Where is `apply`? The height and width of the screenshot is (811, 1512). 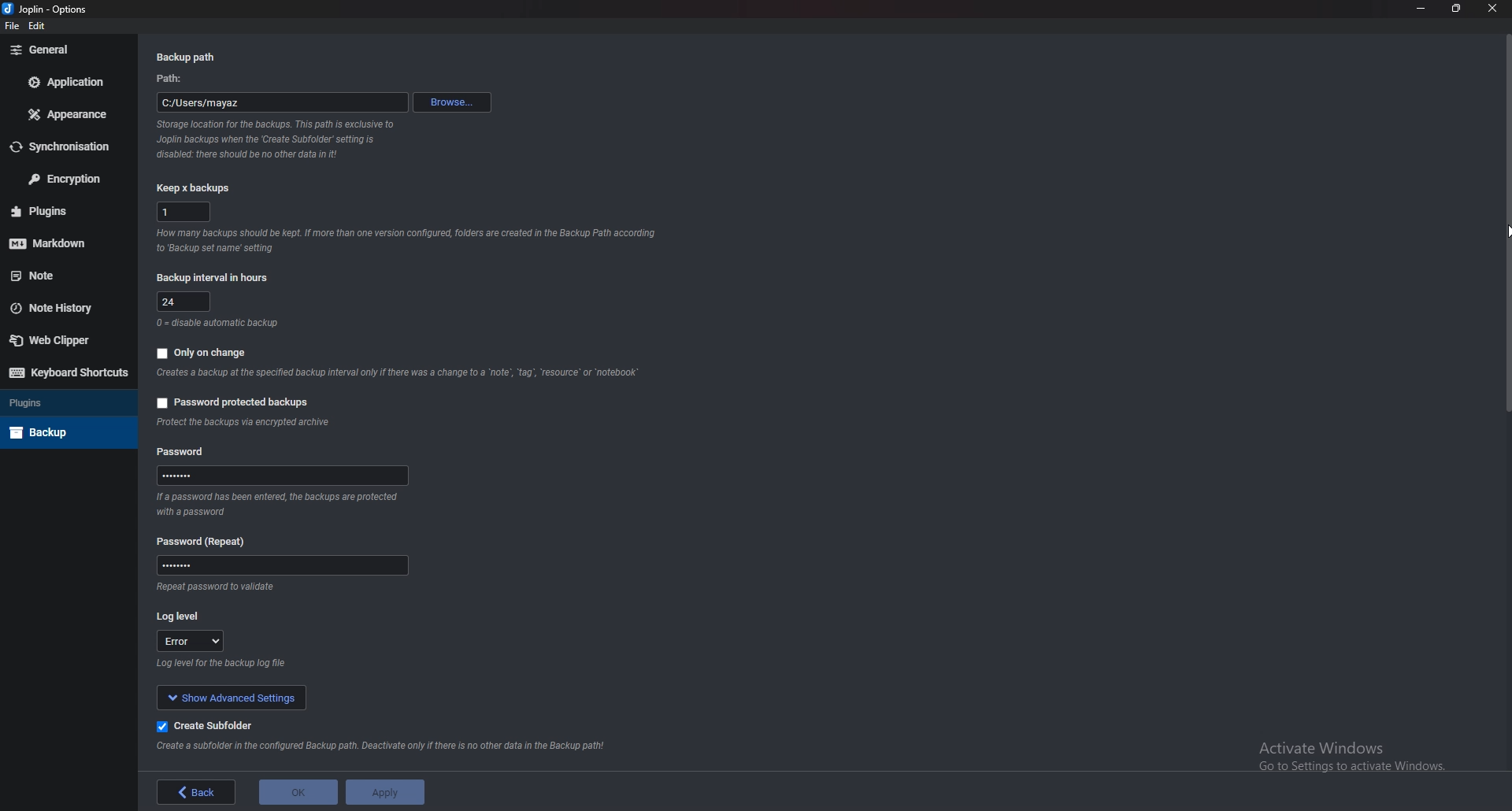
apply is located at coordinates (384, 792).